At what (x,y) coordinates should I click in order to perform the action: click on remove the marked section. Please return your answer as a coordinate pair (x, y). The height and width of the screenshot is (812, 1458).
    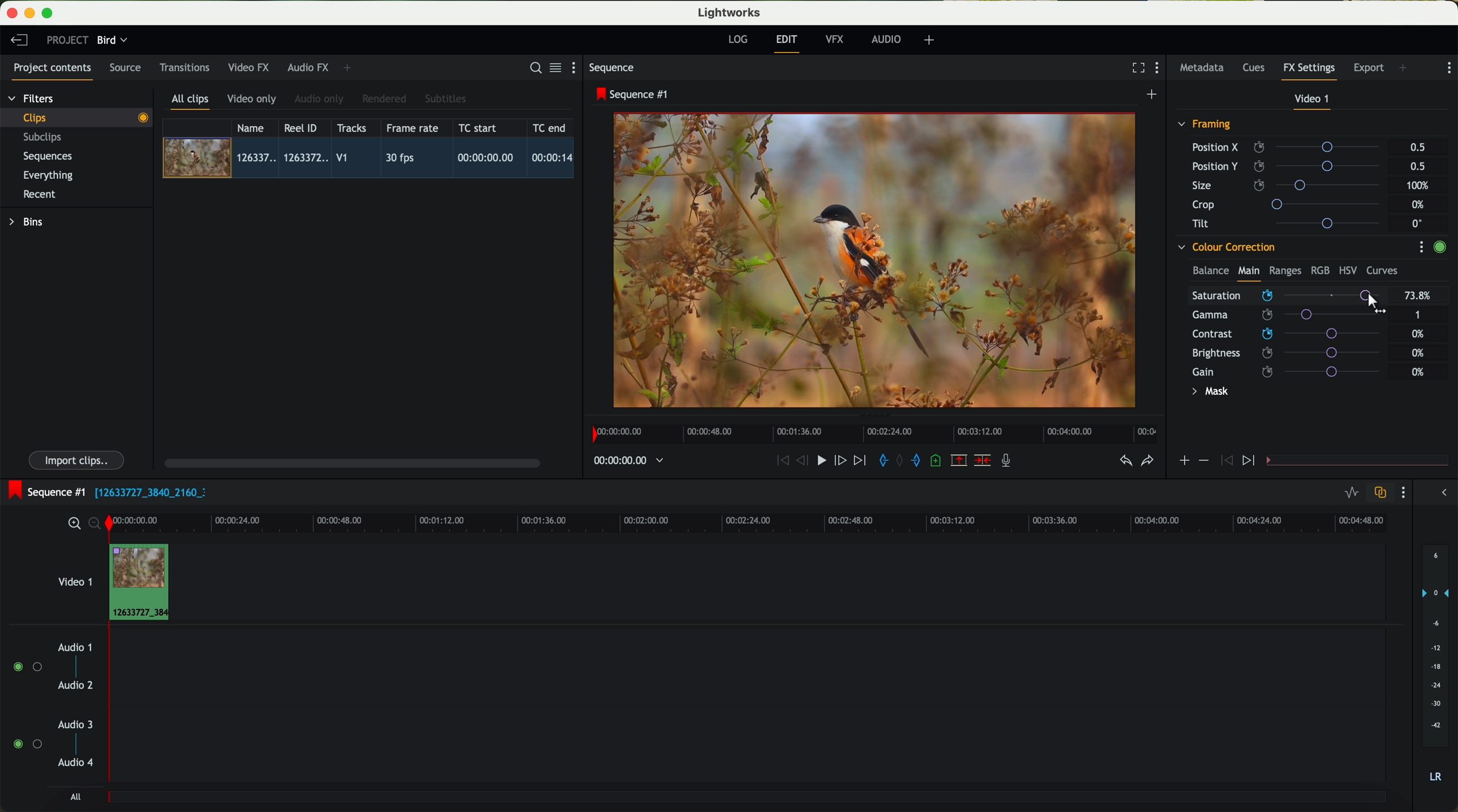
    Looking at the image, I should click on (960, 461).